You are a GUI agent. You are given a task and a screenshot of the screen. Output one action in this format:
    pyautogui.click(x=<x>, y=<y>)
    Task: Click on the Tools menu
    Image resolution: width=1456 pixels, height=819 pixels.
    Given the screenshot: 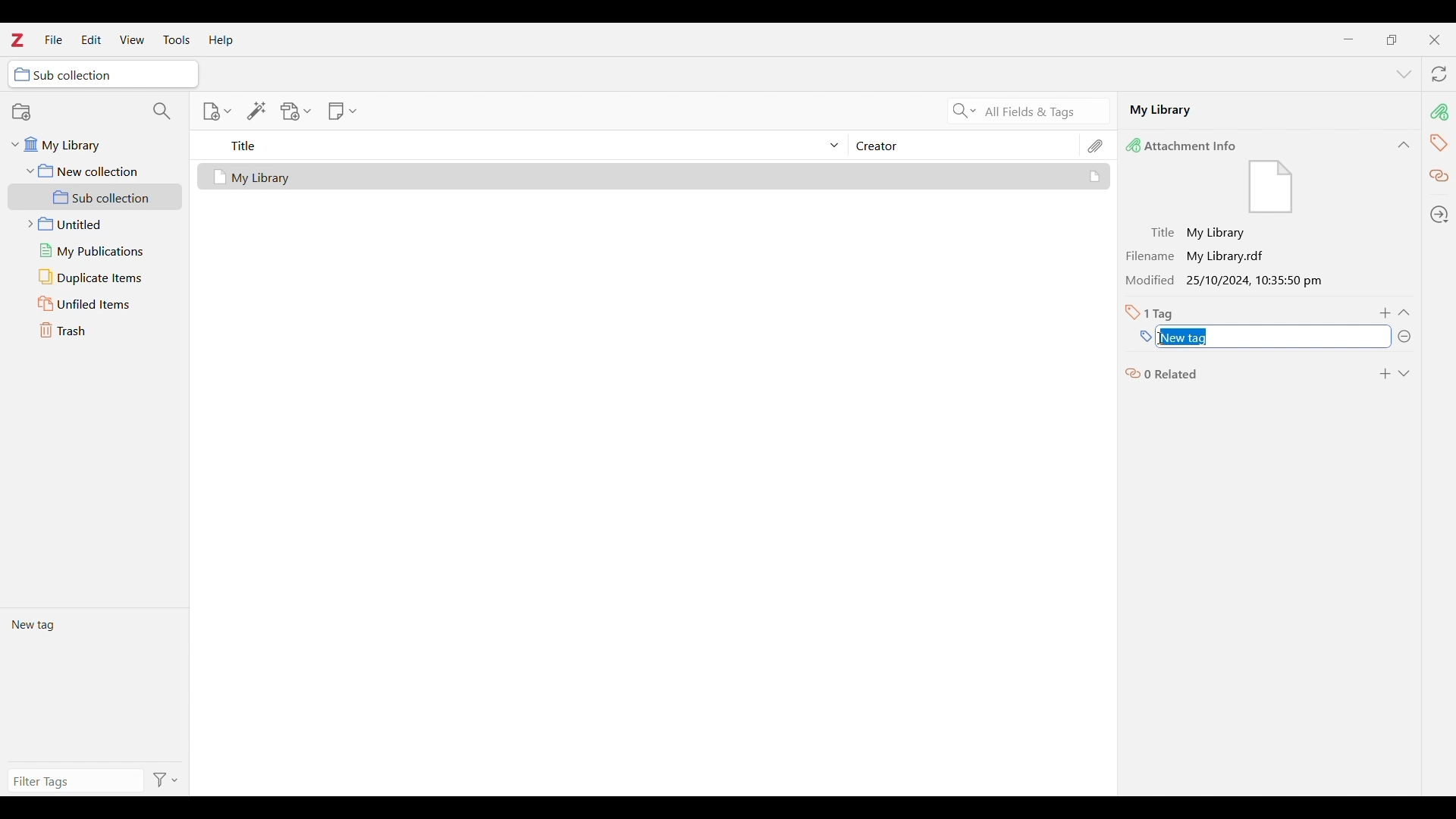 What is the action you would take?
    pyautogui.click(x=177, y=39)
    